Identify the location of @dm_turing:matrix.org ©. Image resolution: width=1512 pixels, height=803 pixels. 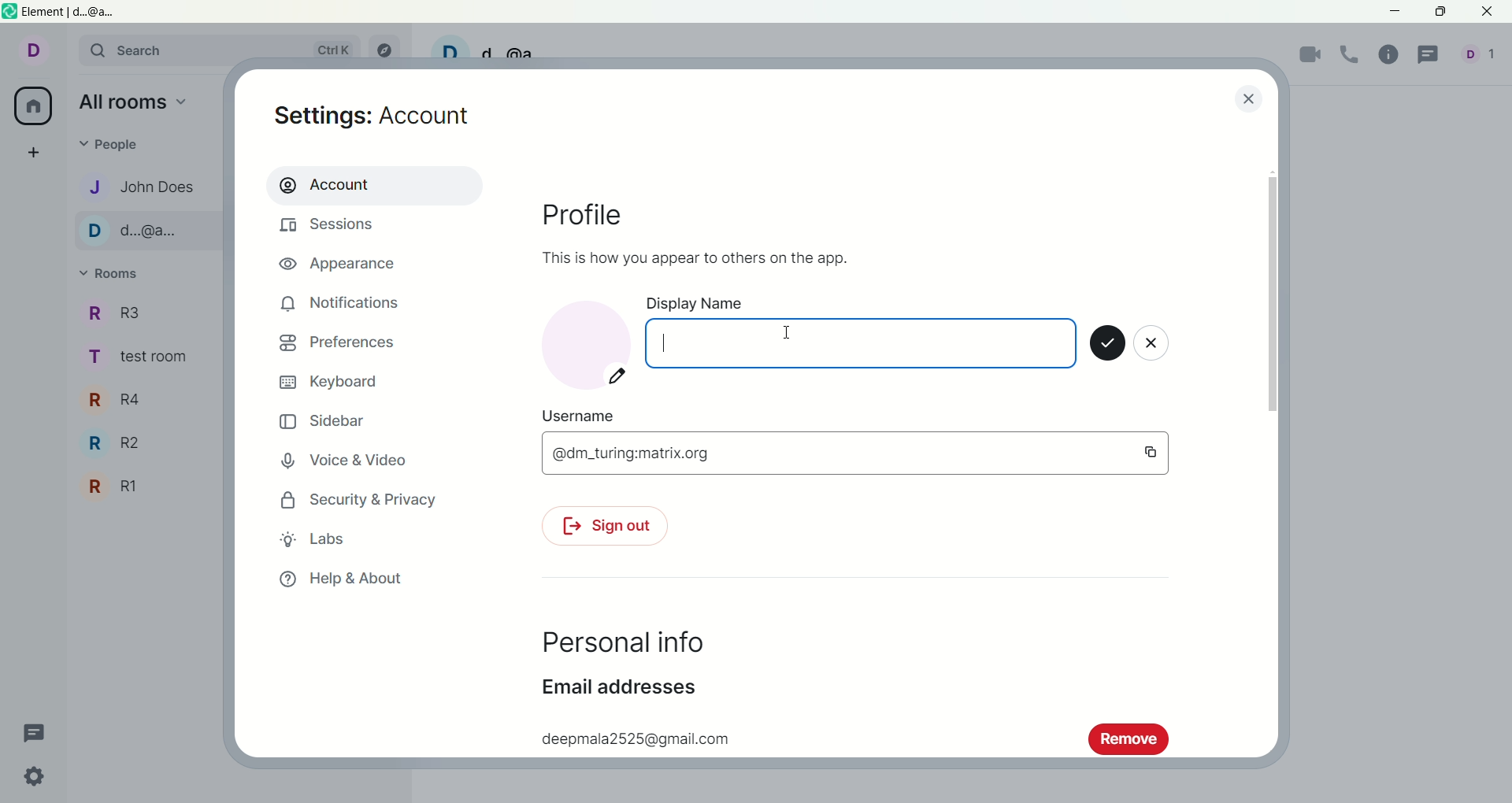
(854, 453).